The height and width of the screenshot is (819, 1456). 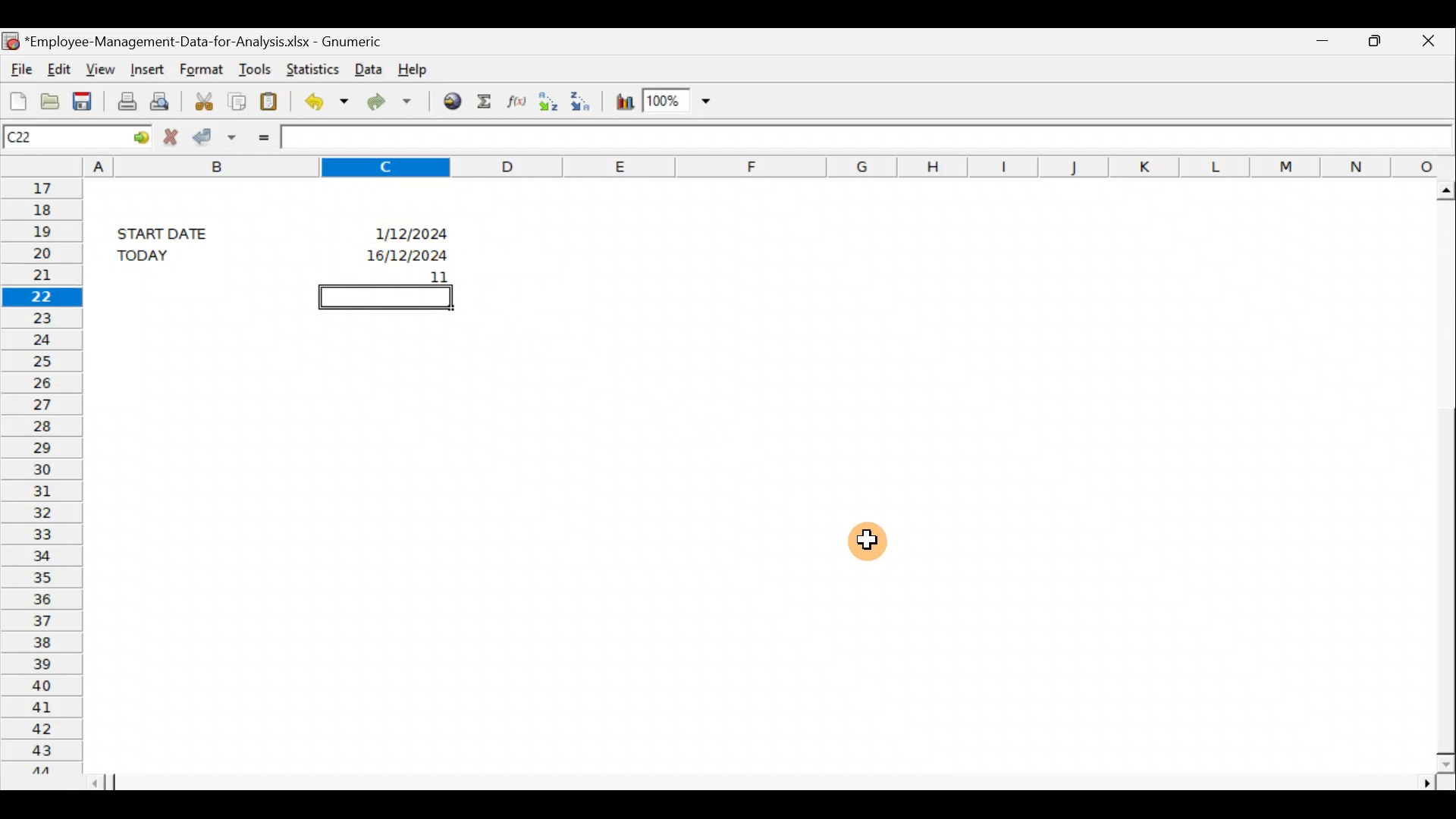 What do you see at coordinates (875, 539) in the screenshot?
I see `Cursor` at bounding box center [875, 539].